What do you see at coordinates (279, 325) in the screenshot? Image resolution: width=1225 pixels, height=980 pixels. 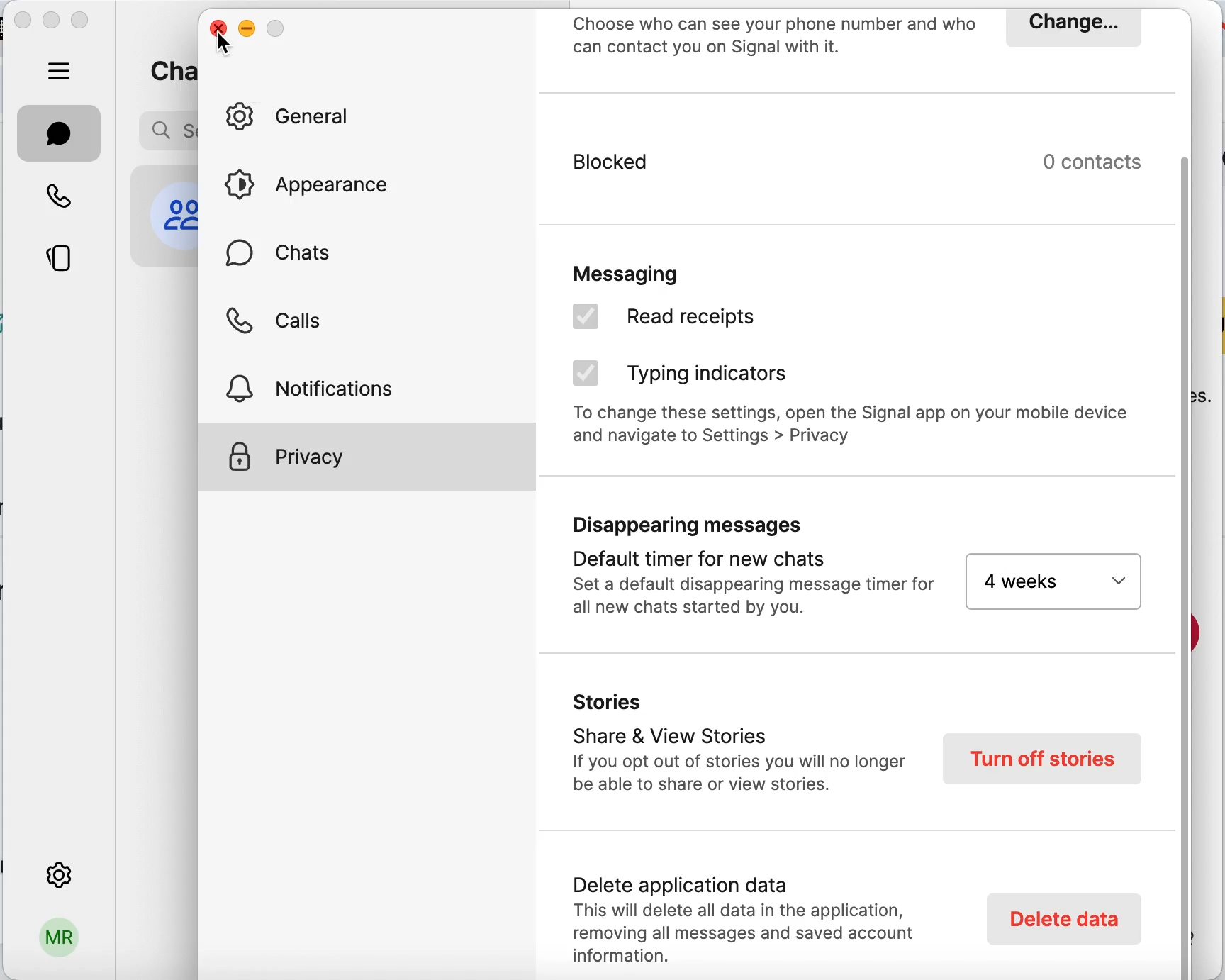 I see `calls` at bounding box center [279, 325].